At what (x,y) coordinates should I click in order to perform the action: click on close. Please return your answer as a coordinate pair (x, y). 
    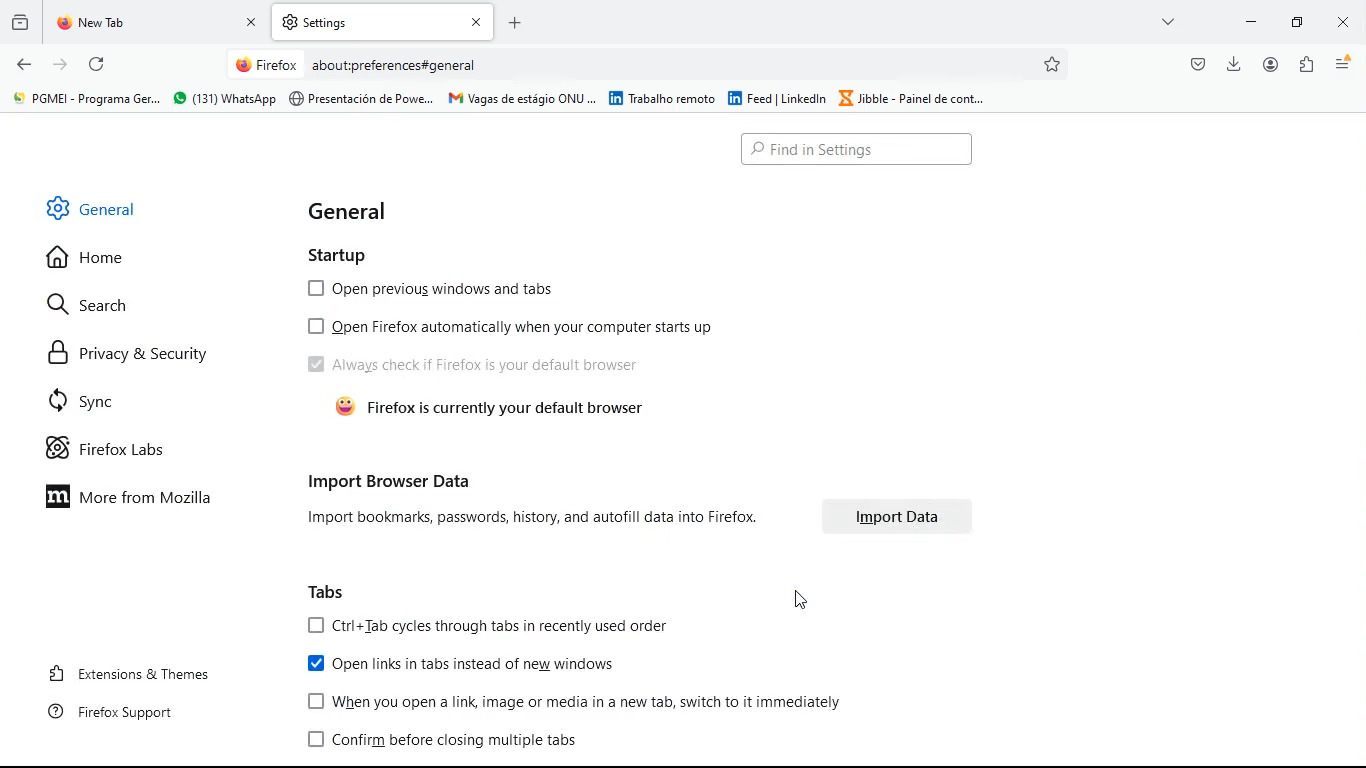
    Looking at the image, I should click on (1340, 25).